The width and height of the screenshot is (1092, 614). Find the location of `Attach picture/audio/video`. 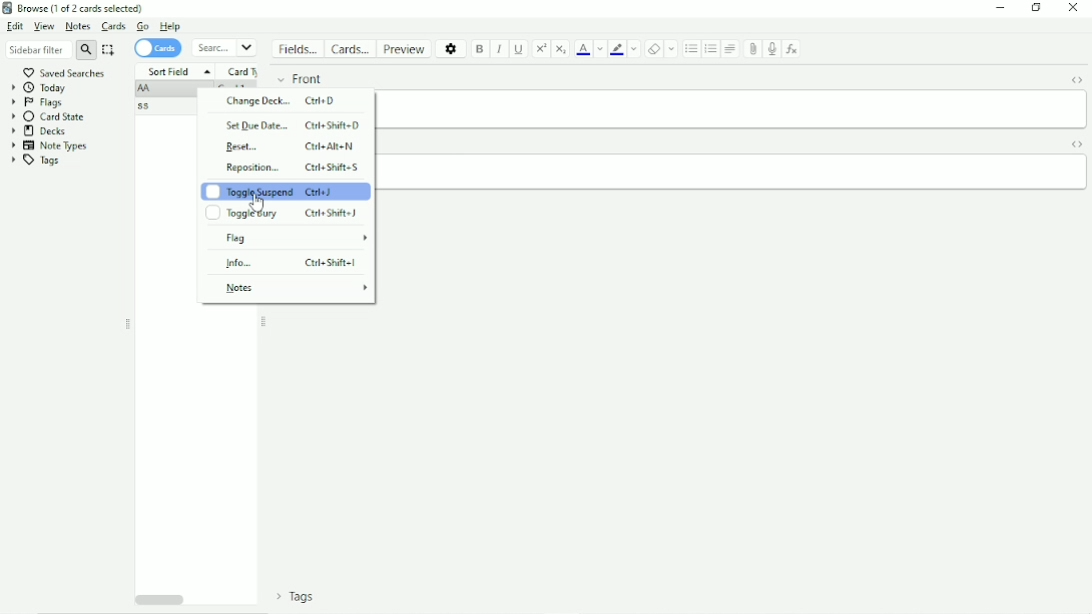

Attach picture/audio/video is located at coordinates (754, 49).